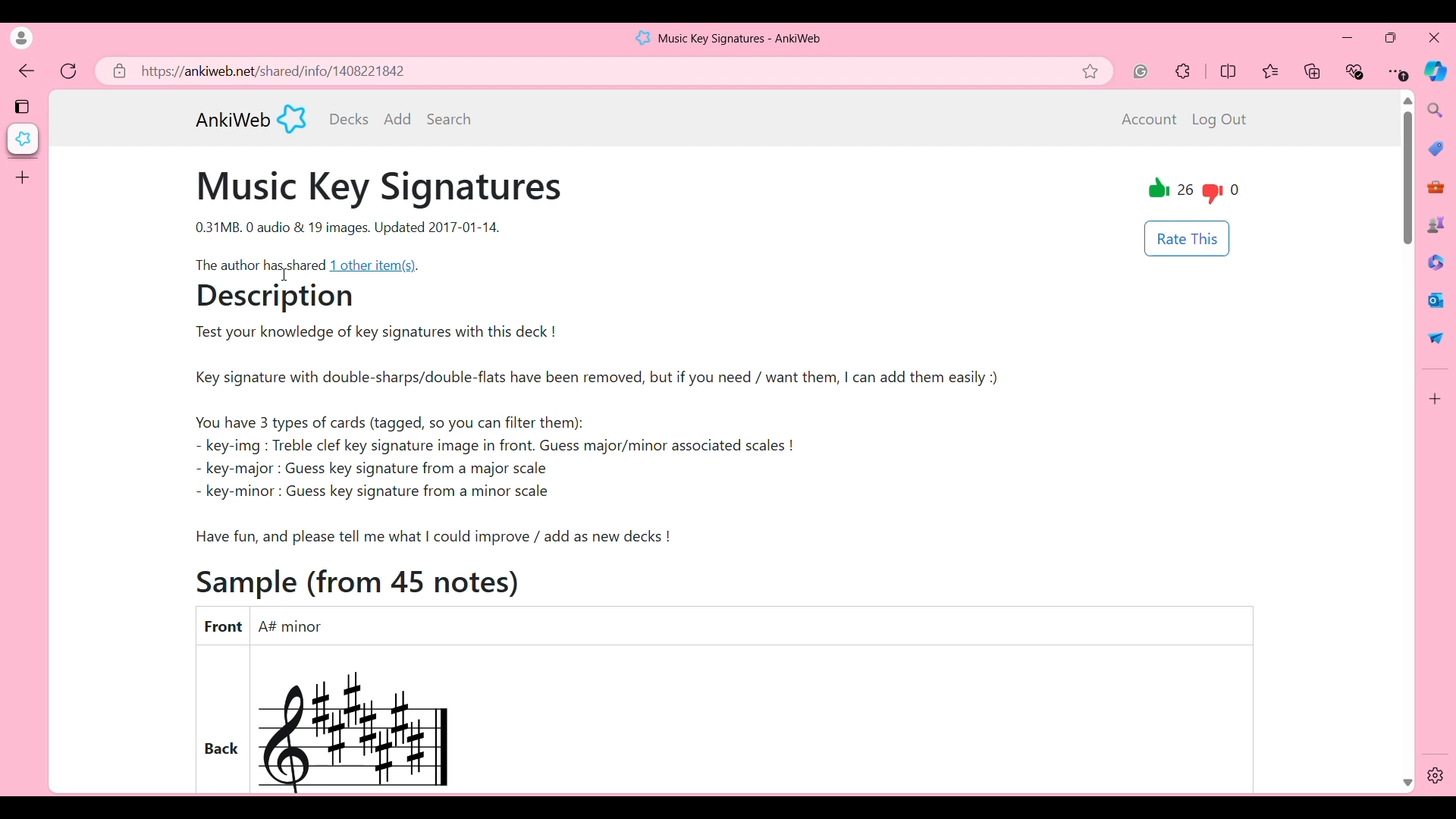 Image resolution: width=1456 pixels, height=819 pixels. I want to click on Browser essentials, so click(1356, 71).